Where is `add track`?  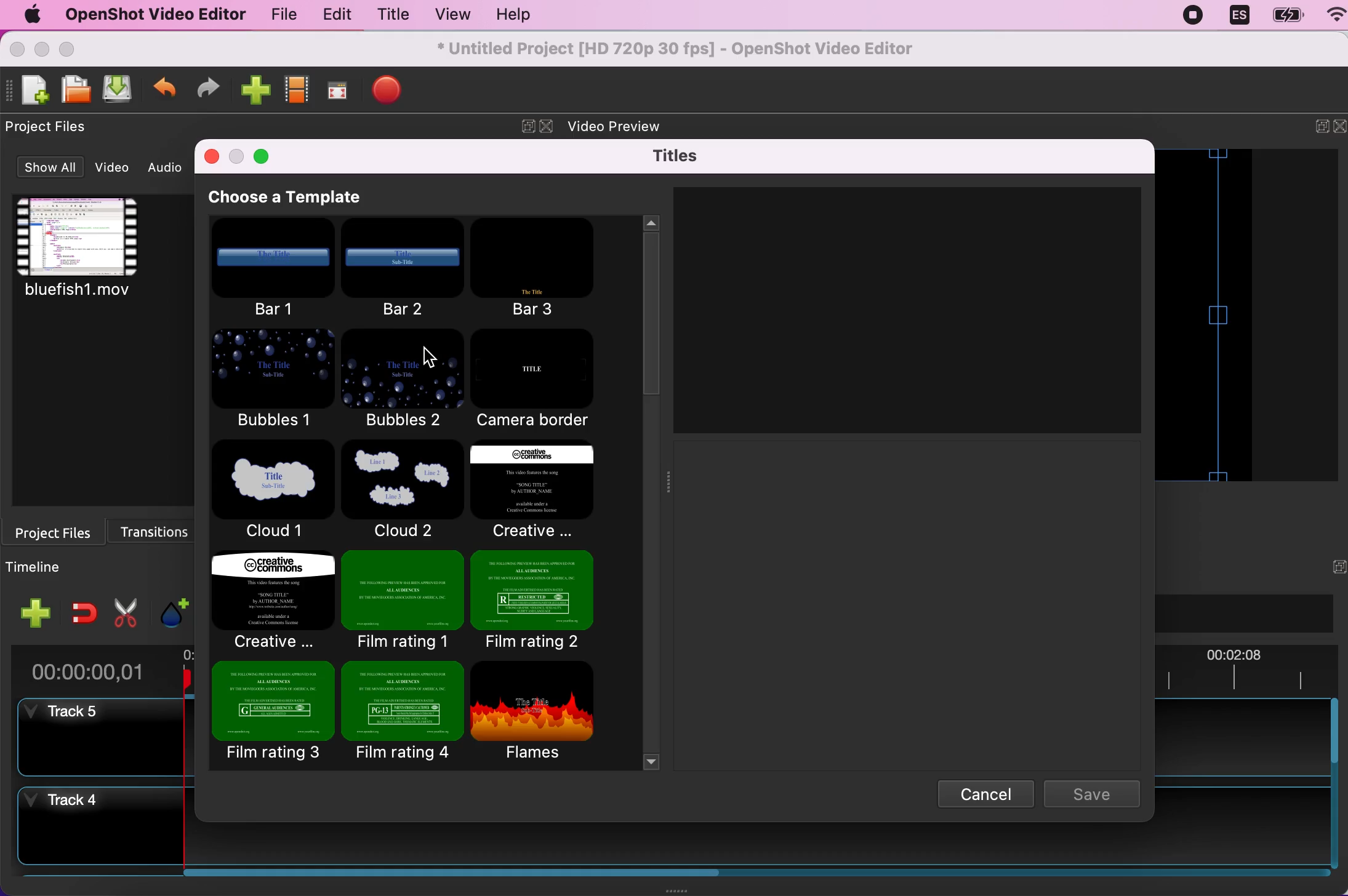
add track is located at coordinates (37, 613).